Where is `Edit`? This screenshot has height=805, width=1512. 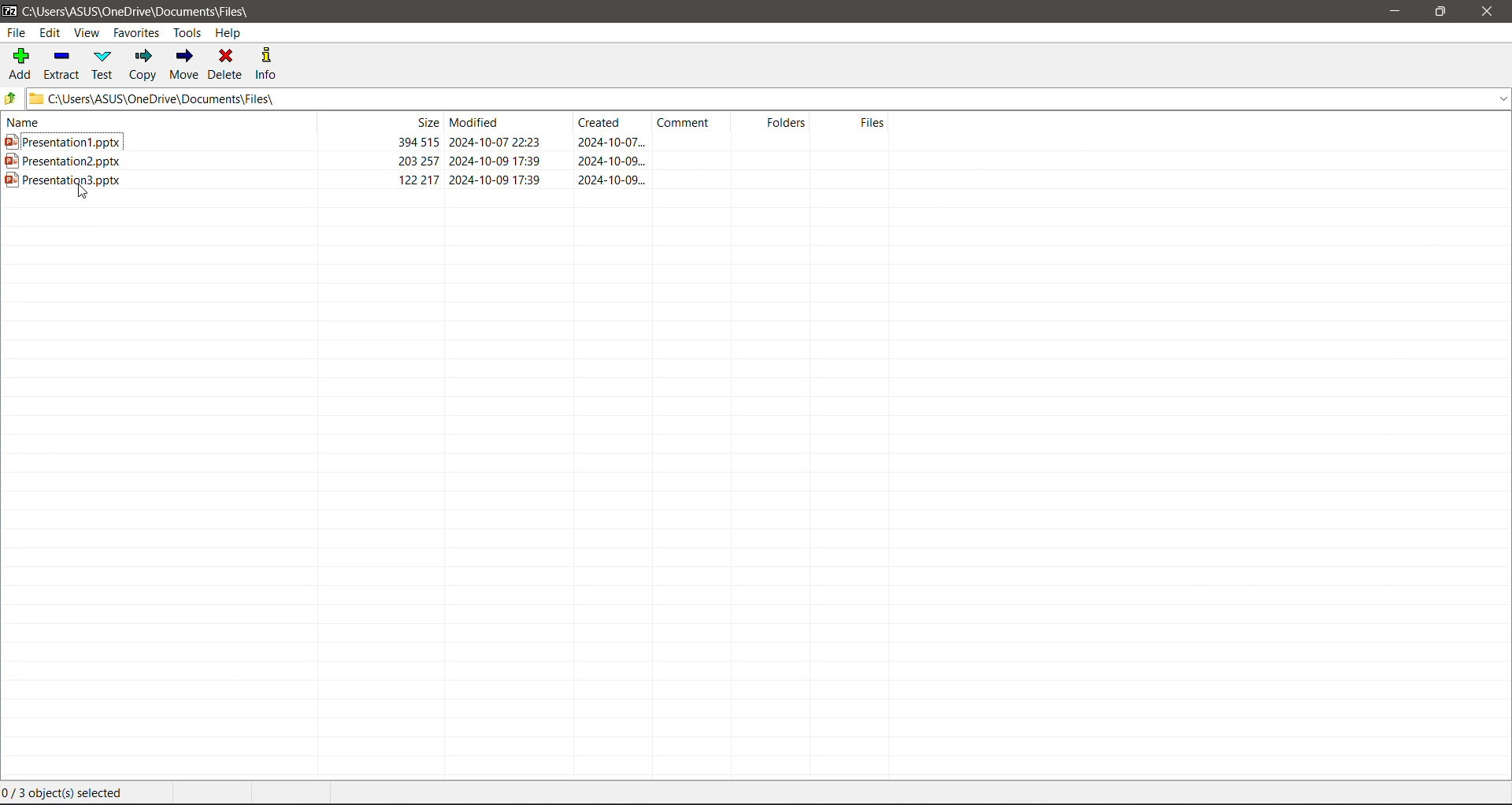 Edit is located at coordinates (50, 33).